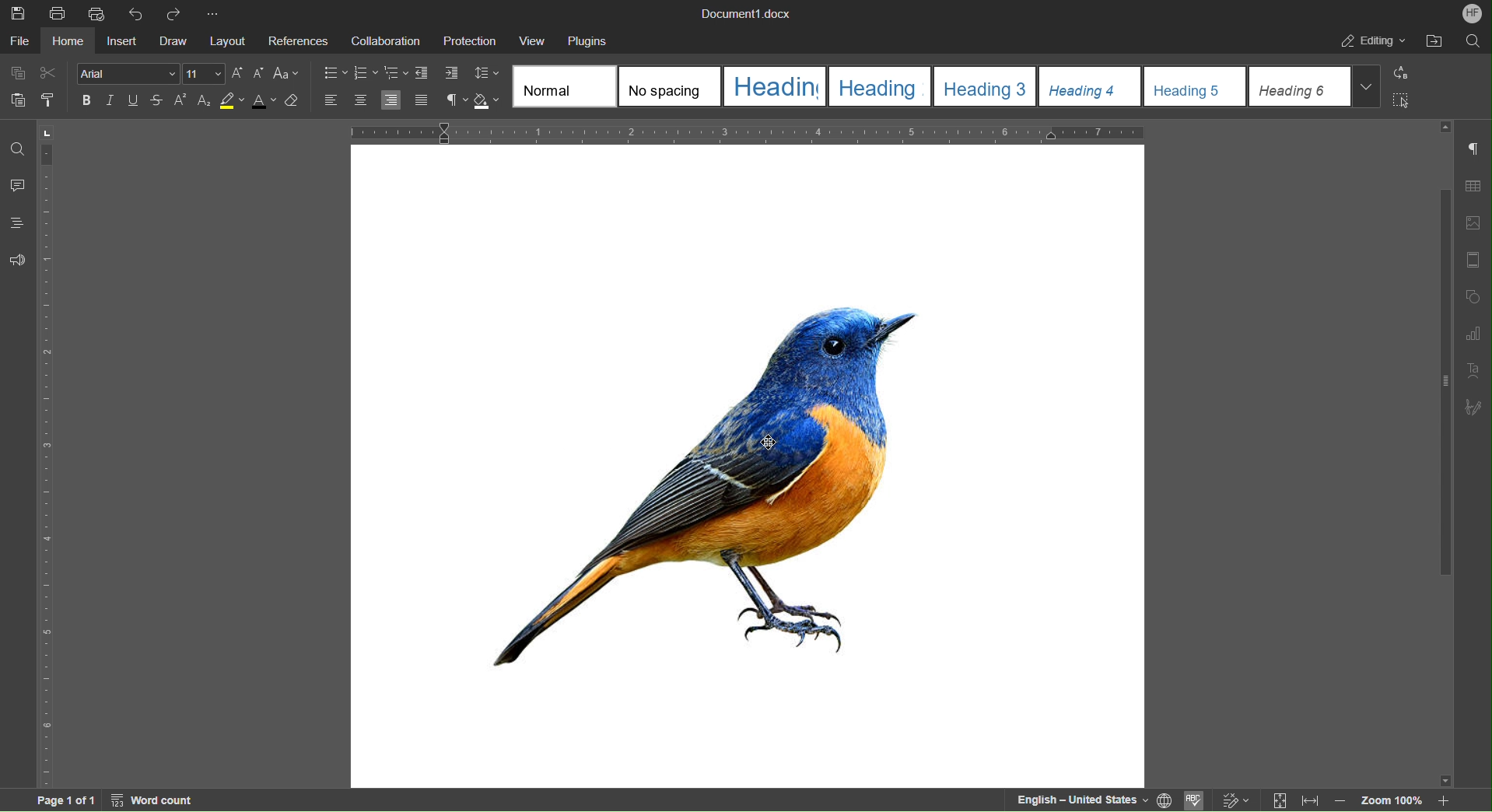 Image resolution: width=1492 pixels, height=812 pixels. Describe the element at coordinates (1469, 13) in the screenshot. I see `Account` at that location.